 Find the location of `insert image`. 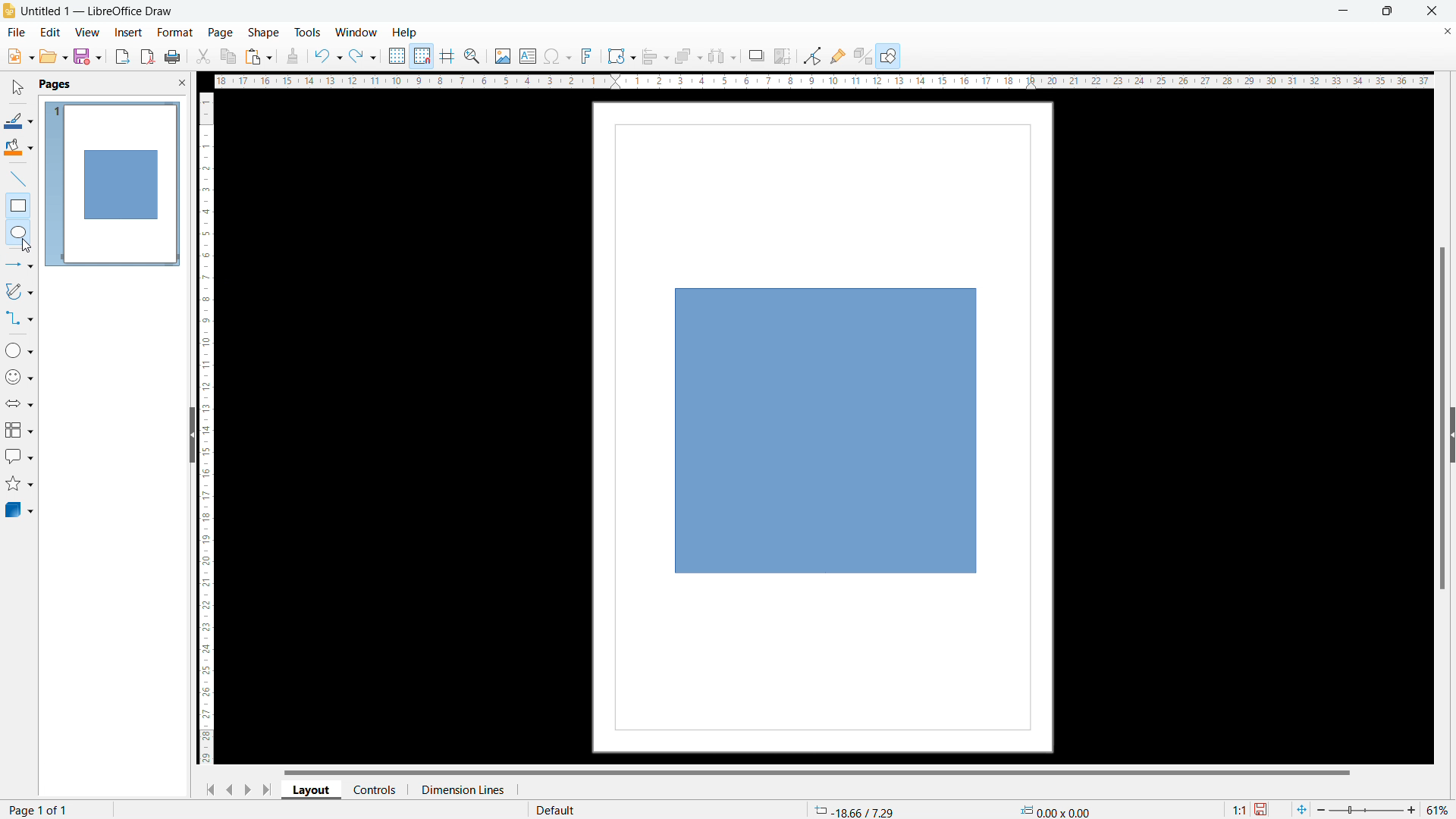

insert image is located at coordinates (502, 56).